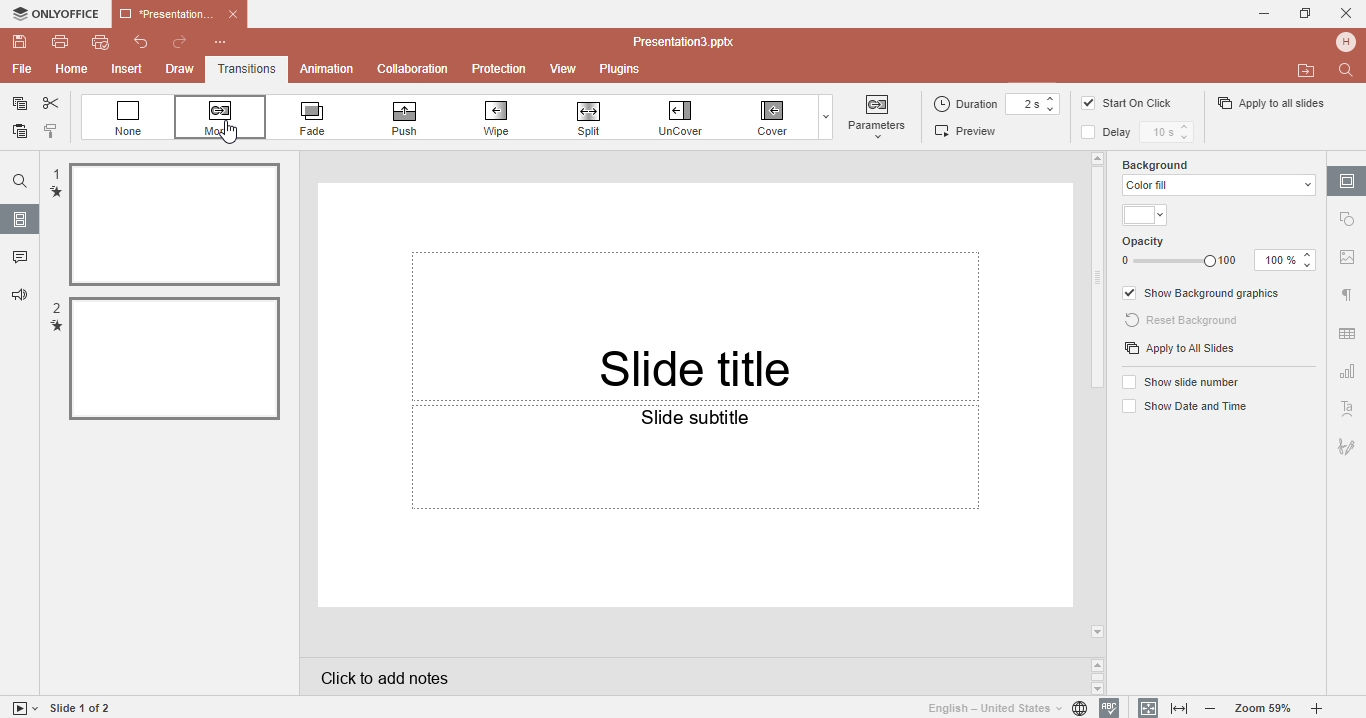  What do you see at coordinates (1006, 708) in the screenshot?
I see `Set document language` at bounding box center [1006, 708].